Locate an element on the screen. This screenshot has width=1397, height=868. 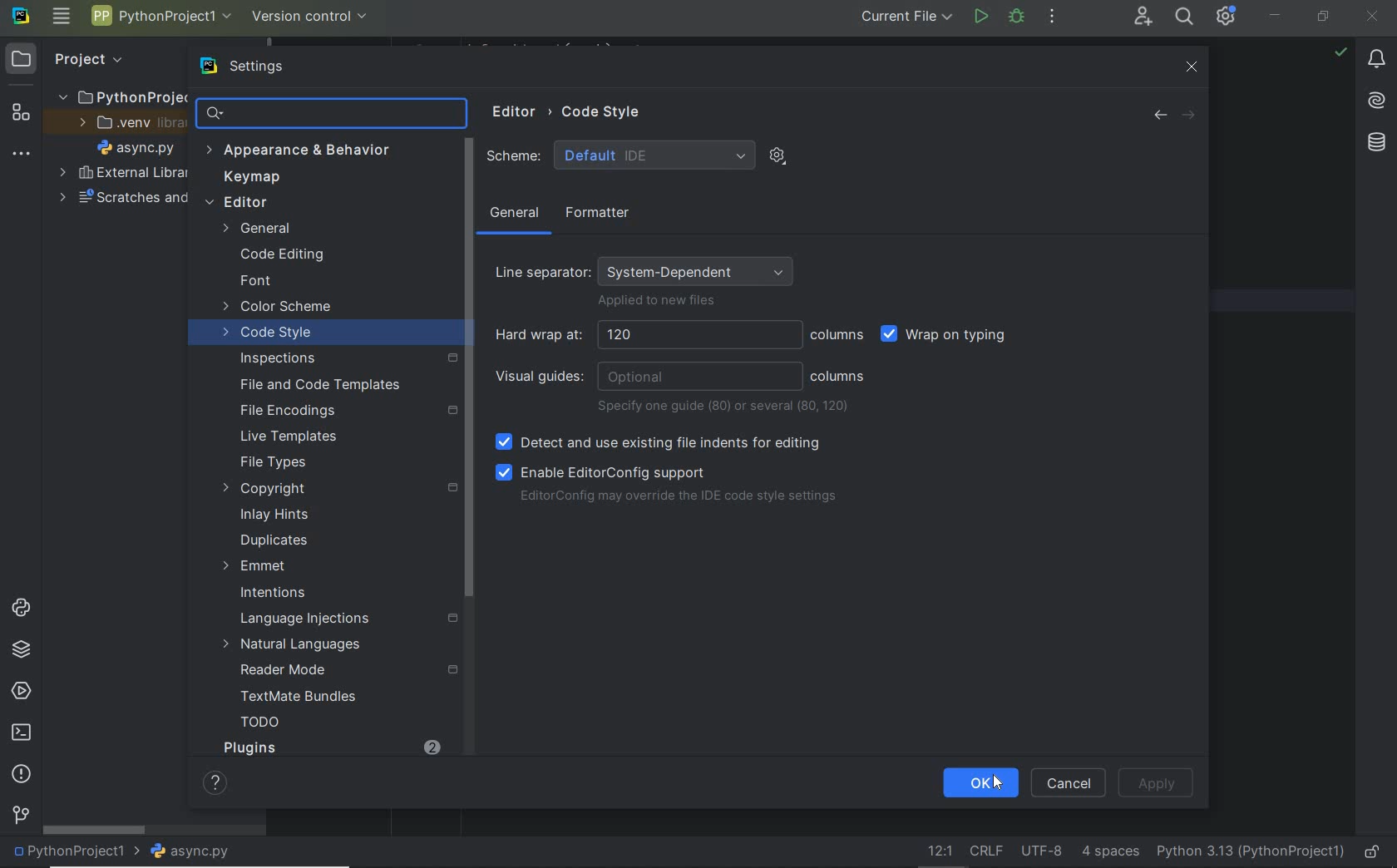
visual guides is located at coordinates (648, 377).